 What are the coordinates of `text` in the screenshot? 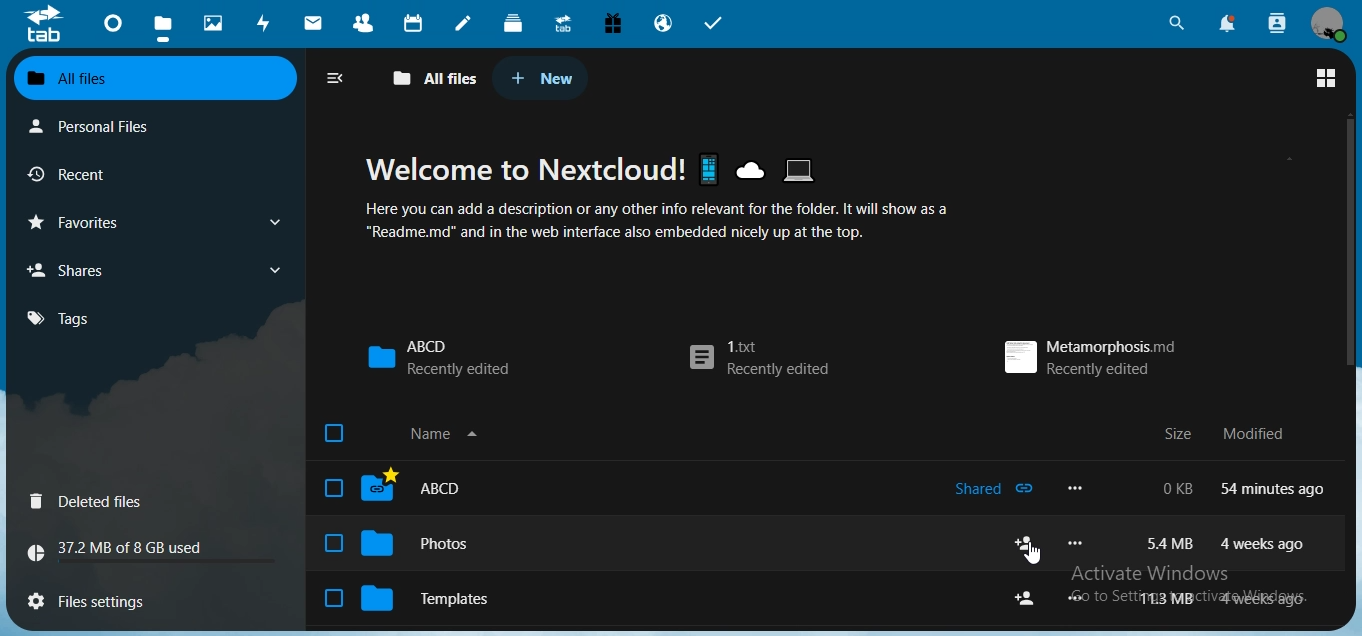 It's located at (124, 551).